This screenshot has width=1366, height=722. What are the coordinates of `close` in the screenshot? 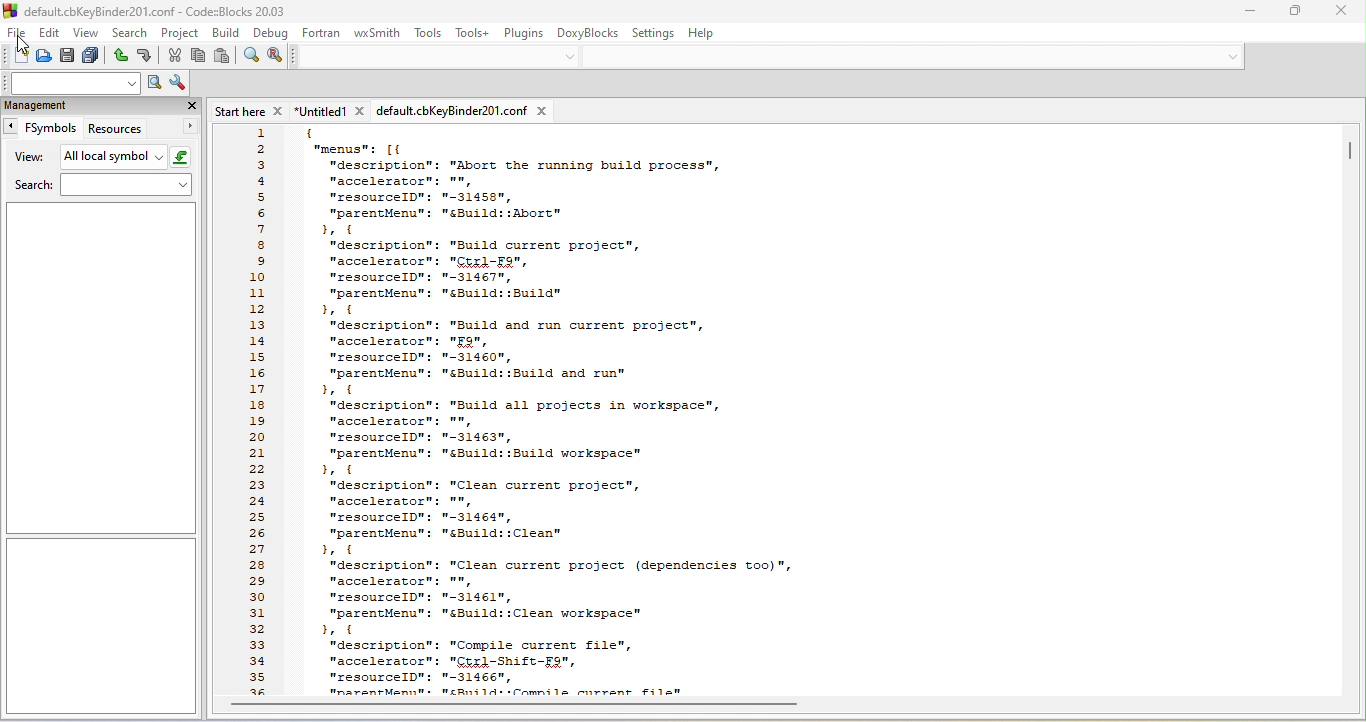 It's located at (185, 105).